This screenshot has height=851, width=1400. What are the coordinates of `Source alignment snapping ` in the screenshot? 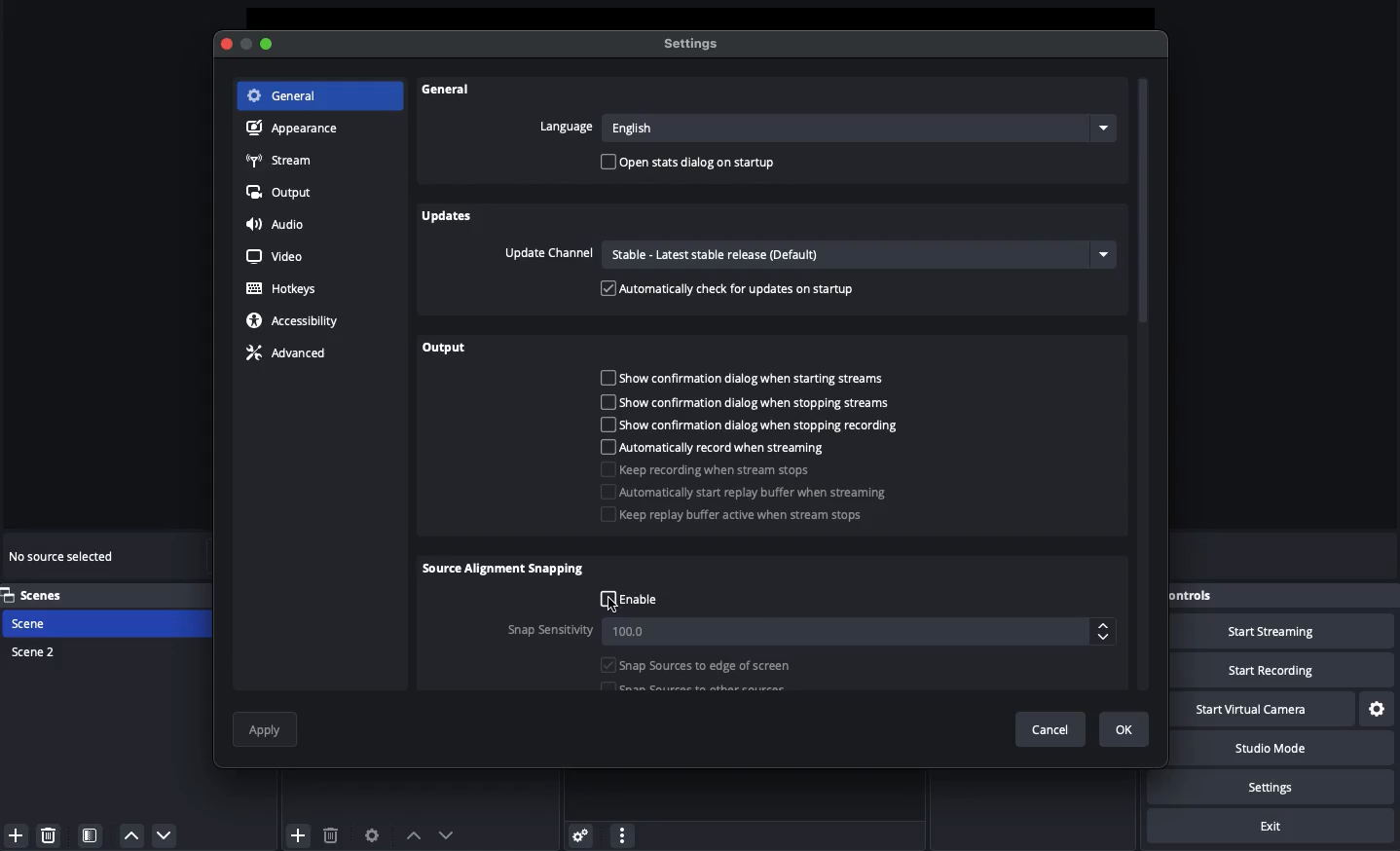 It's located at (505, 571).